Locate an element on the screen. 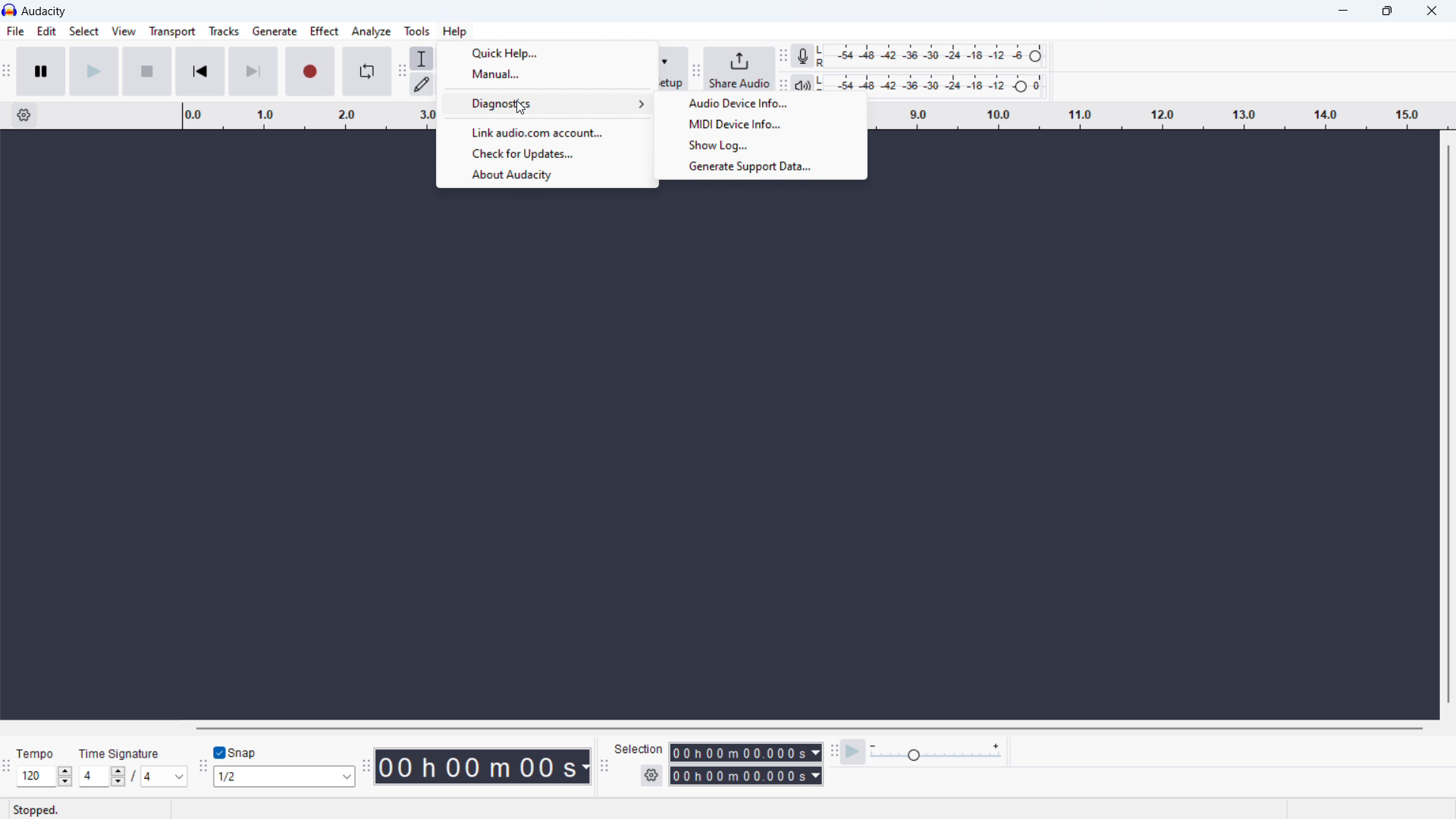 This screenshot has width=1456, height=819. pause is located at coordinates (40, 71).